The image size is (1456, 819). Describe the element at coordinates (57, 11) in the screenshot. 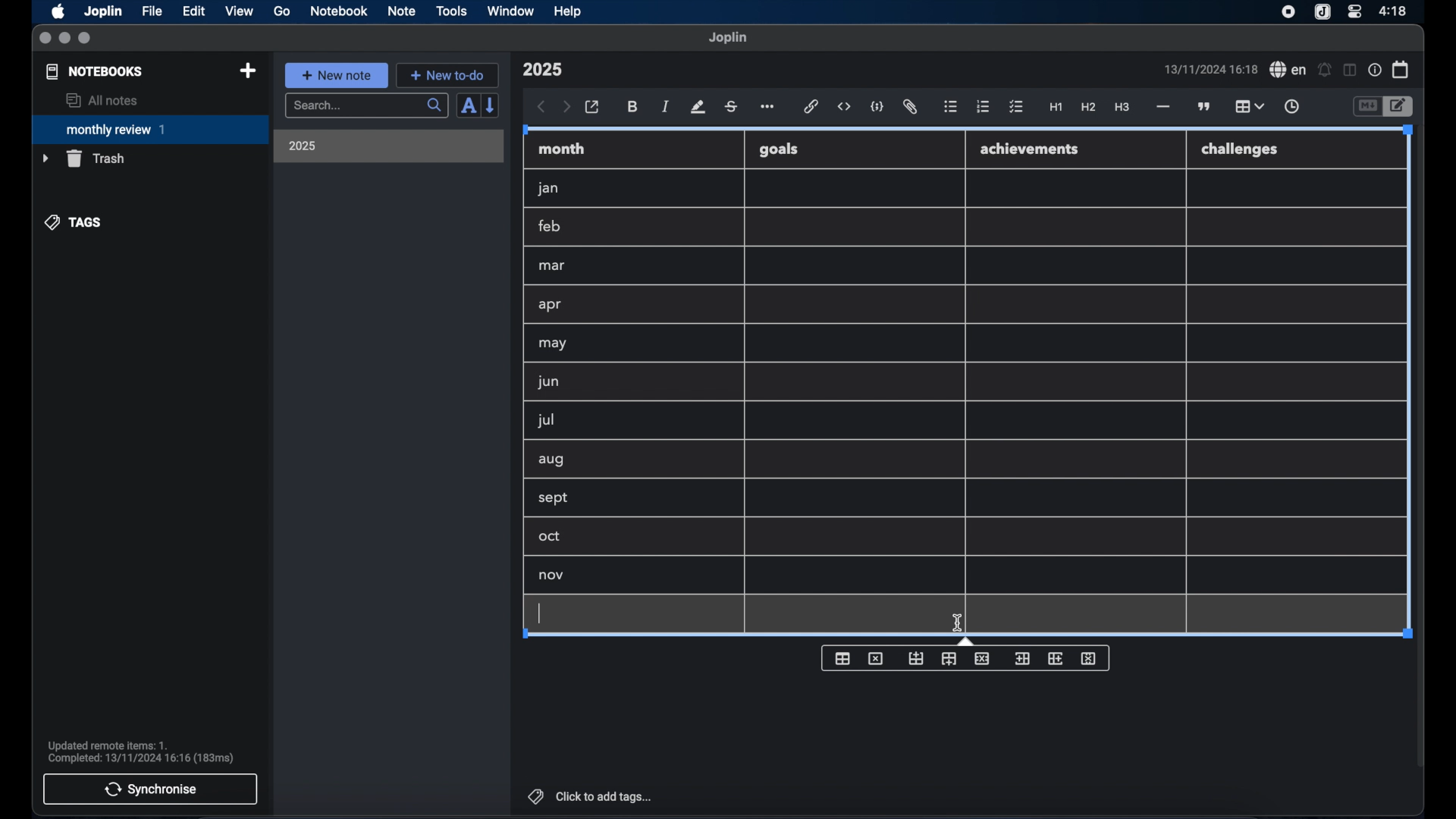

I see `apple icon` at that location.